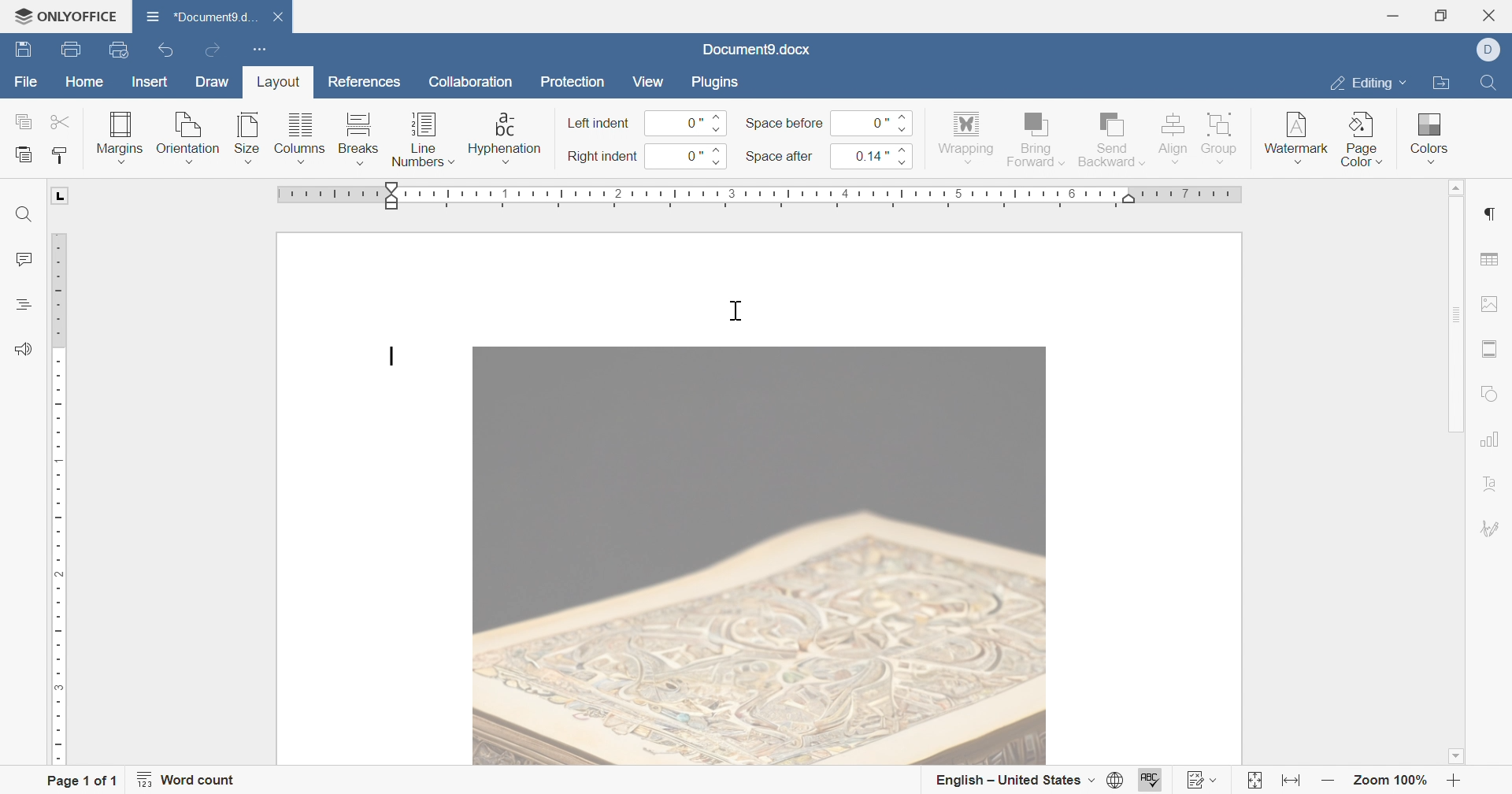 This screenshot has height=794, width=1512. What do you see at coordinates (286, 18) in the screenshot?
I see `close` at bounding box center [286, 18].